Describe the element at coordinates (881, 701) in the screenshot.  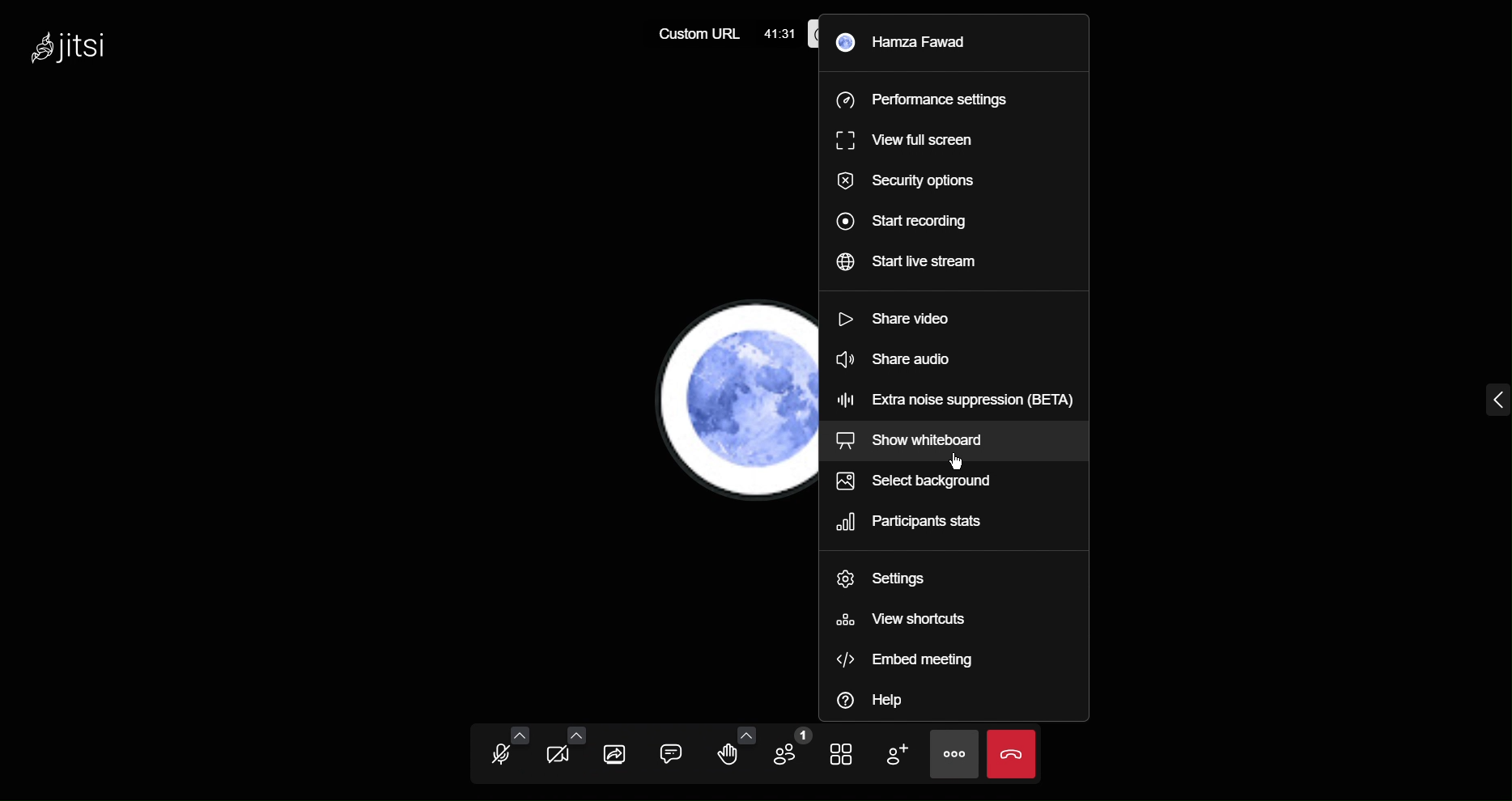
I see `Help` at that location.